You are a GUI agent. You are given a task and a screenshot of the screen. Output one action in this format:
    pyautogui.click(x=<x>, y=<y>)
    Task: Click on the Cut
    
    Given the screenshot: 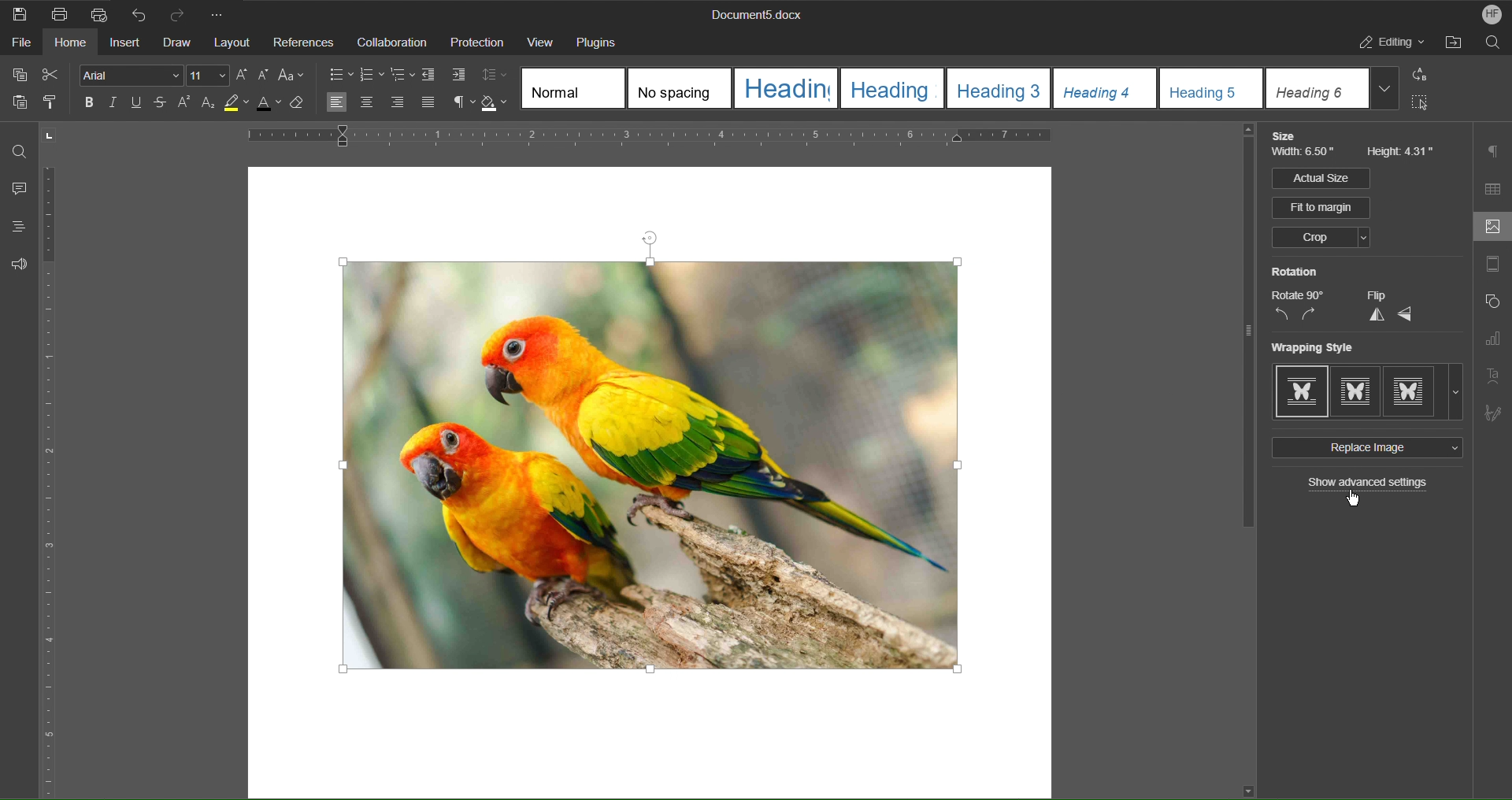 What is the action you would take?
    pyautogui.click(x=54, y=75)
    